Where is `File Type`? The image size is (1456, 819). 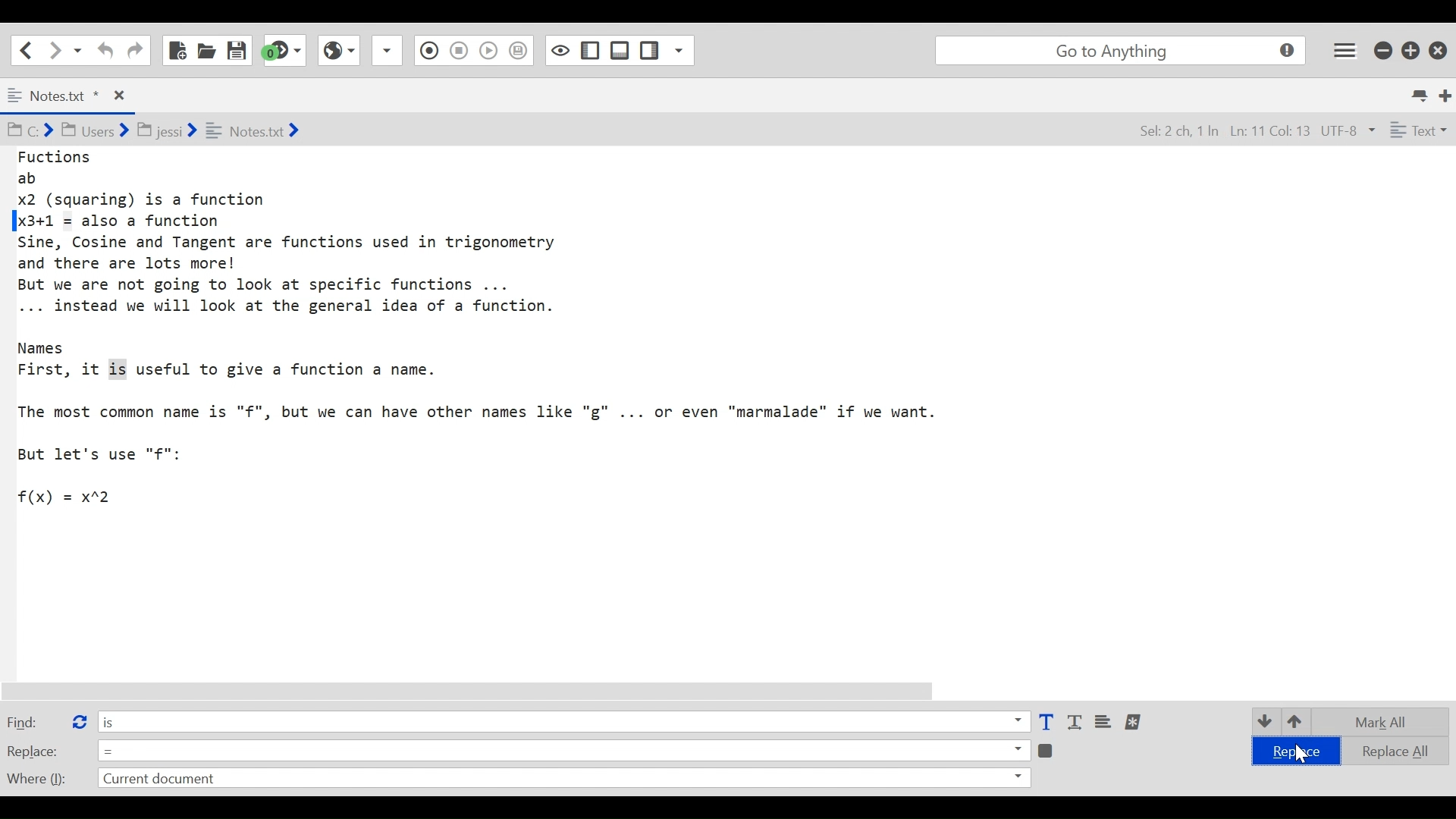
File Type is located at coordinates (1417, 133).